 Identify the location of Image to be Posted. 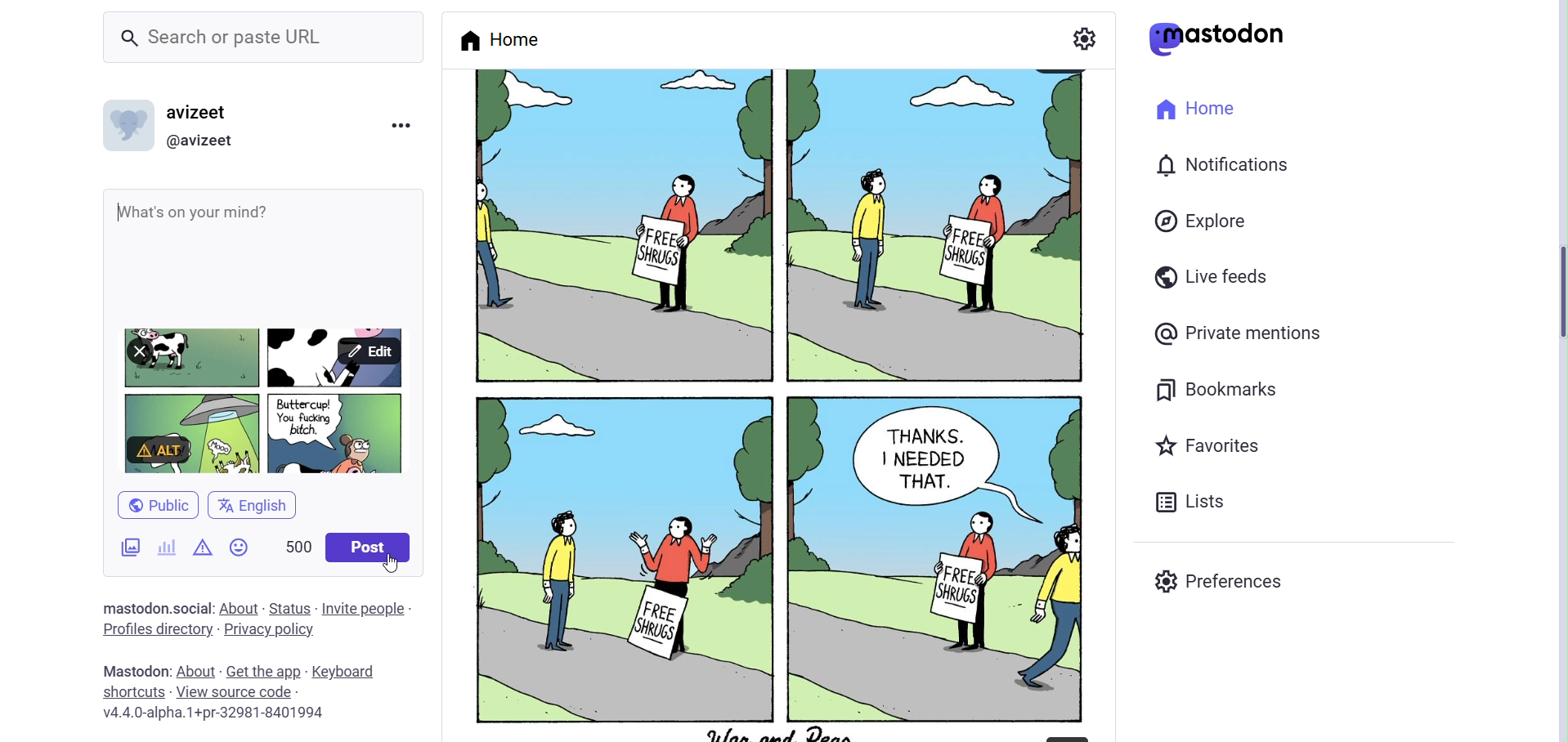
(265, 400).